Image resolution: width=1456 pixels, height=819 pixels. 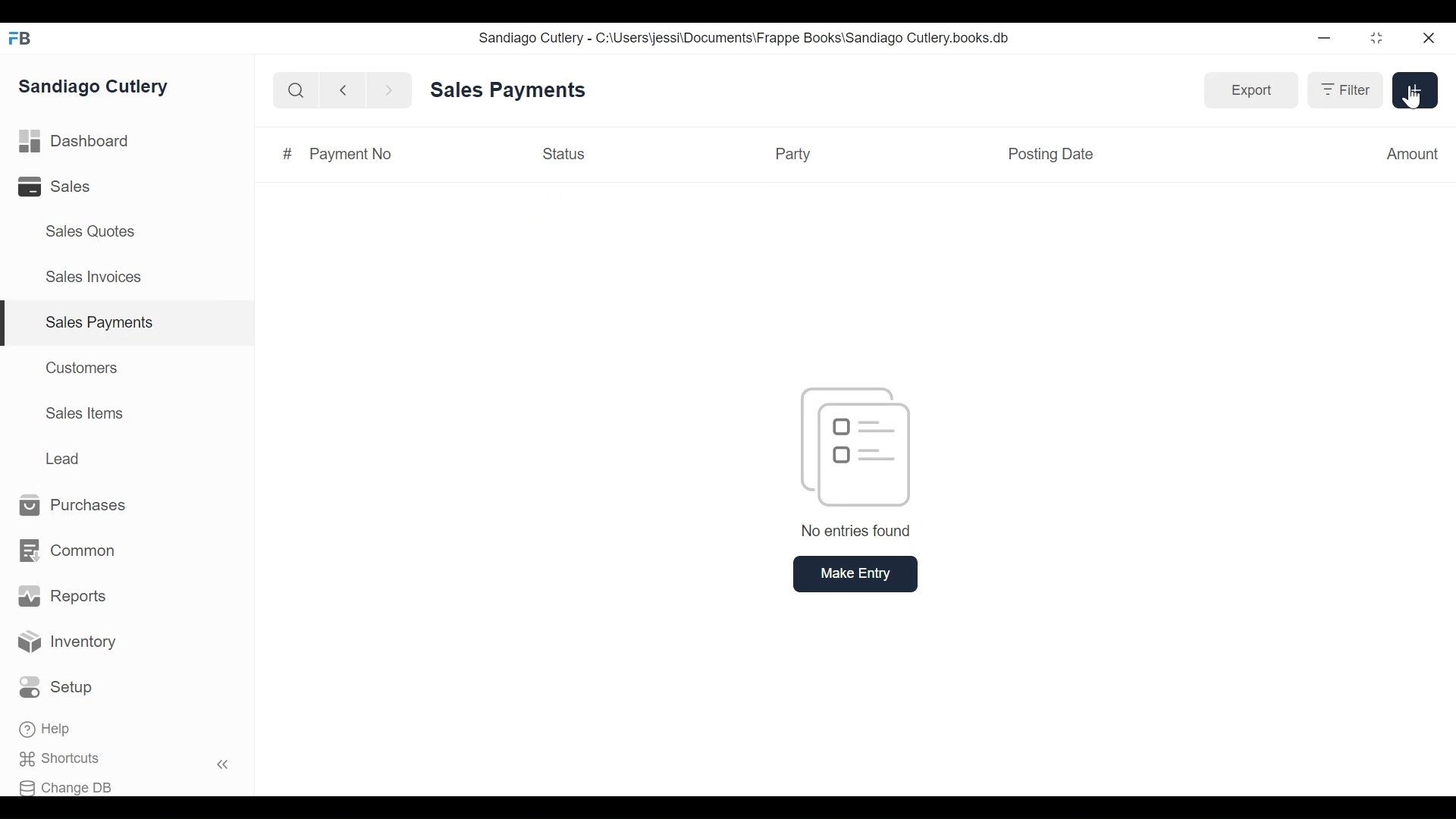 What do you see at coordinates (74, 506) in the screenshot?
I see `Purchases` at bounding box center [74, 506].